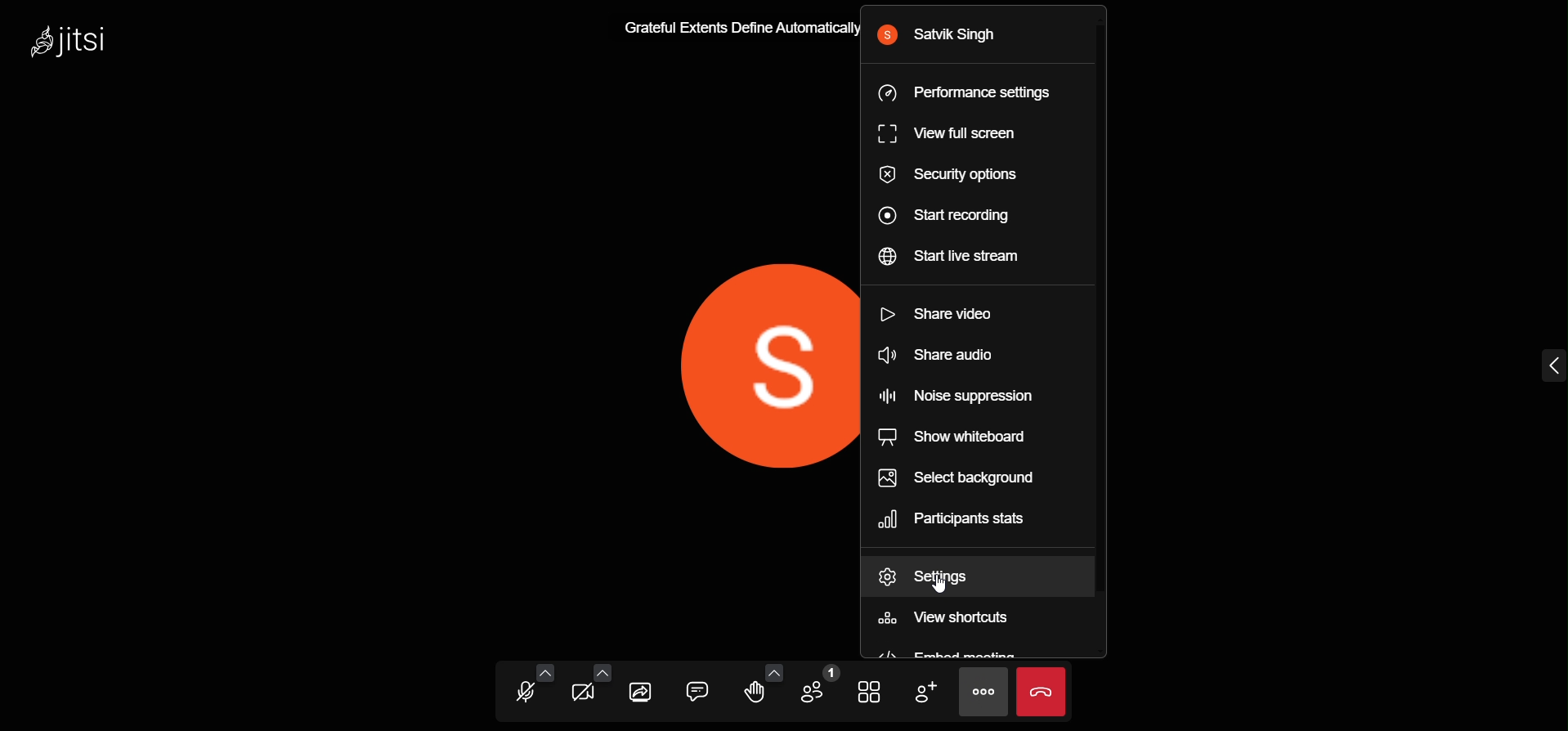 This screenshot has width=1568, height=731. I want to click on participants, so click(814, 686).